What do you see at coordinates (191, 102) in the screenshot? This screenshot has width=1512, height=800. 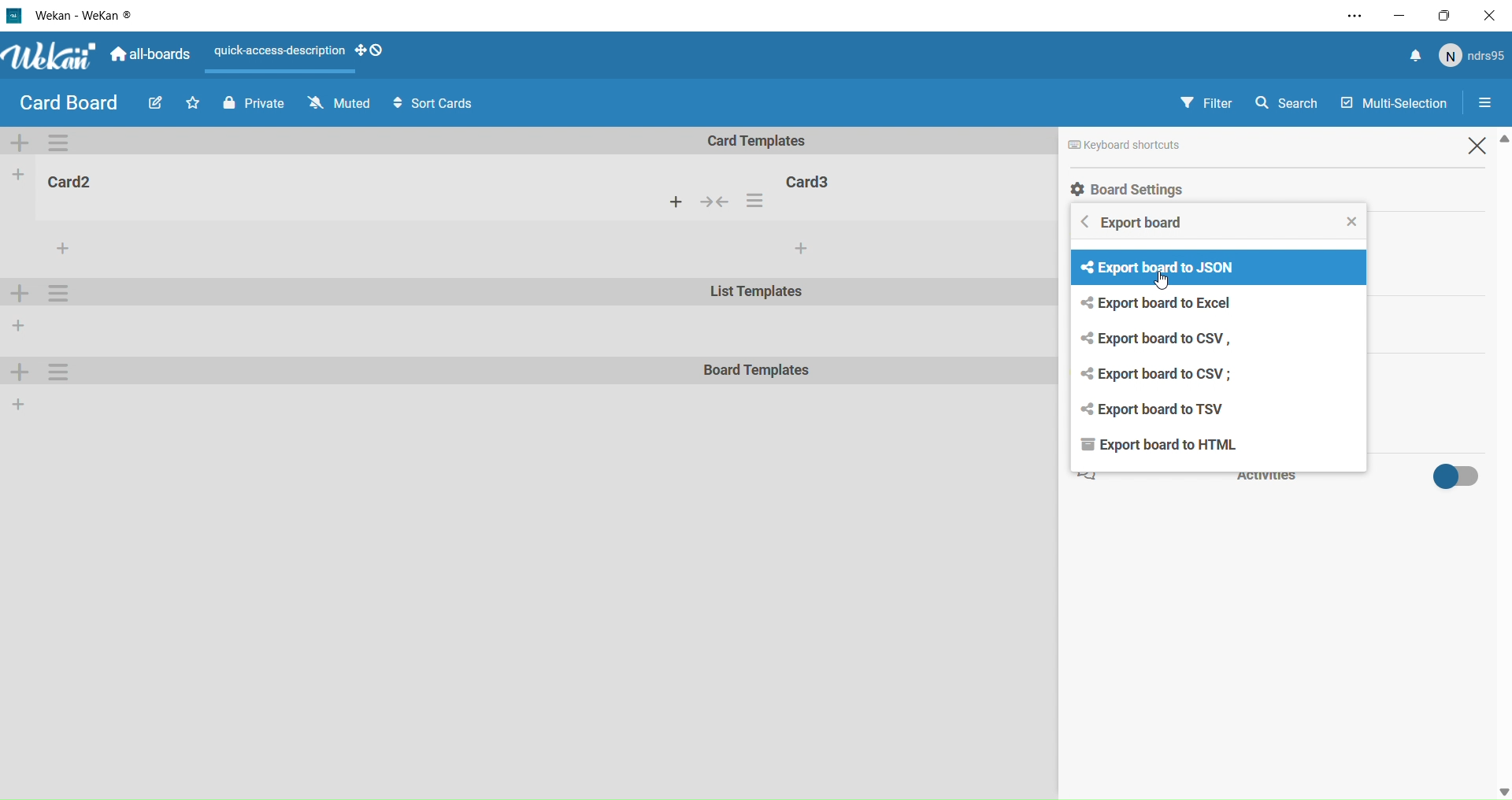 I see `` at bounding box center [191, 102].